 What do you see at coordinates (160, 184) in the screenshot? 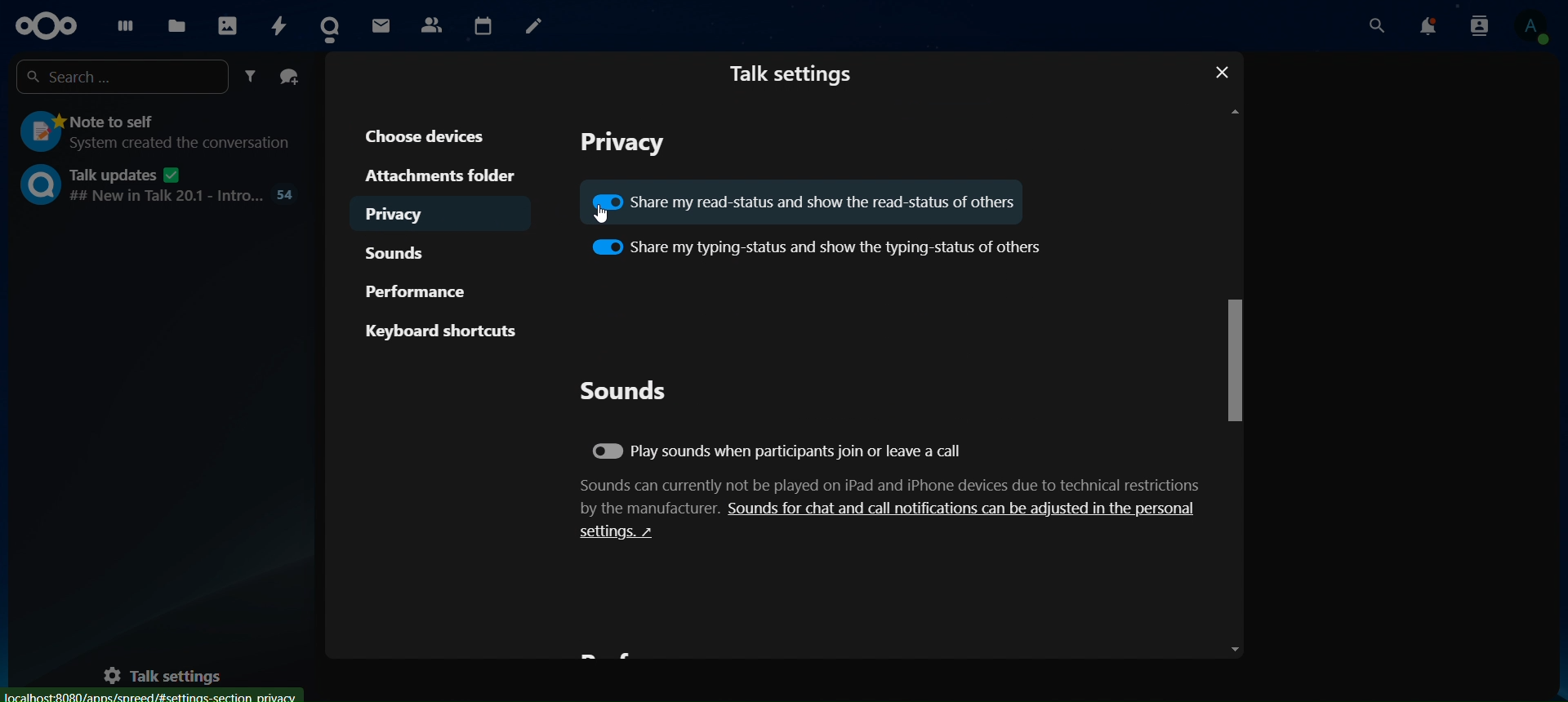
I see `talk updates` at bounding box center [160, 184].